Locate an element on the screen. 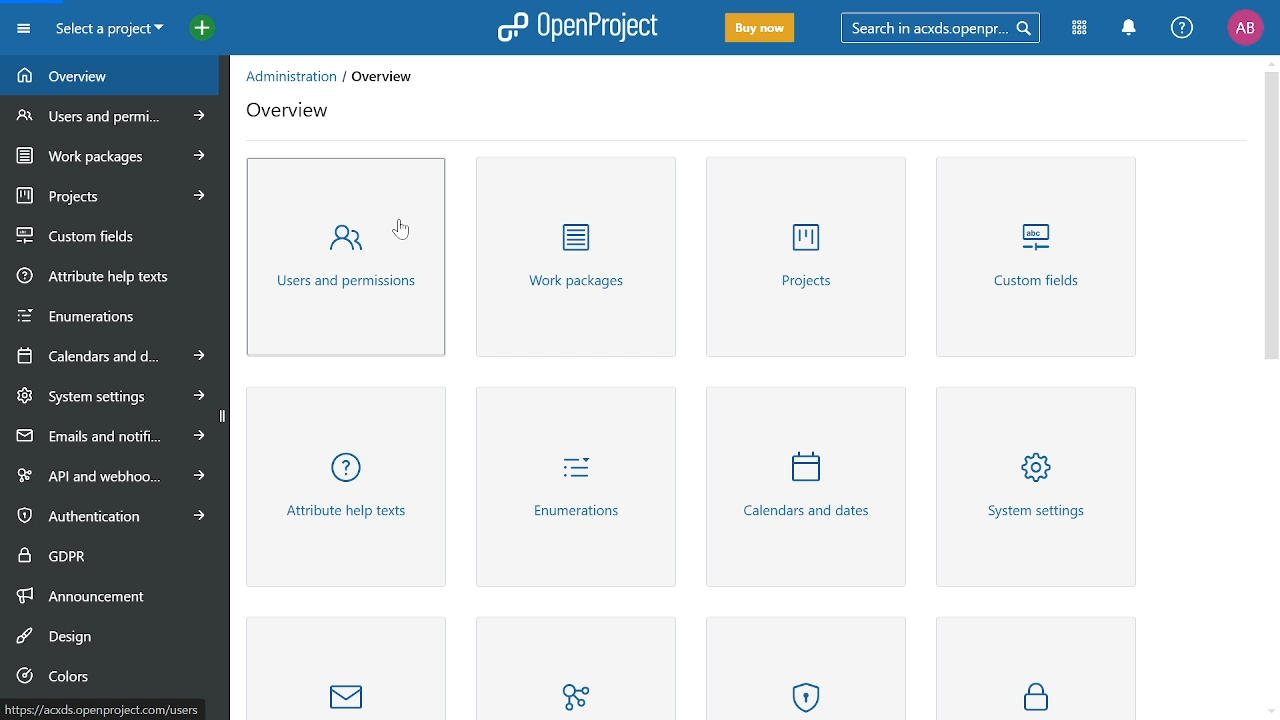 The width and height of the screenshot is (1280, 720). Colors is located at coordinates (59, 677).